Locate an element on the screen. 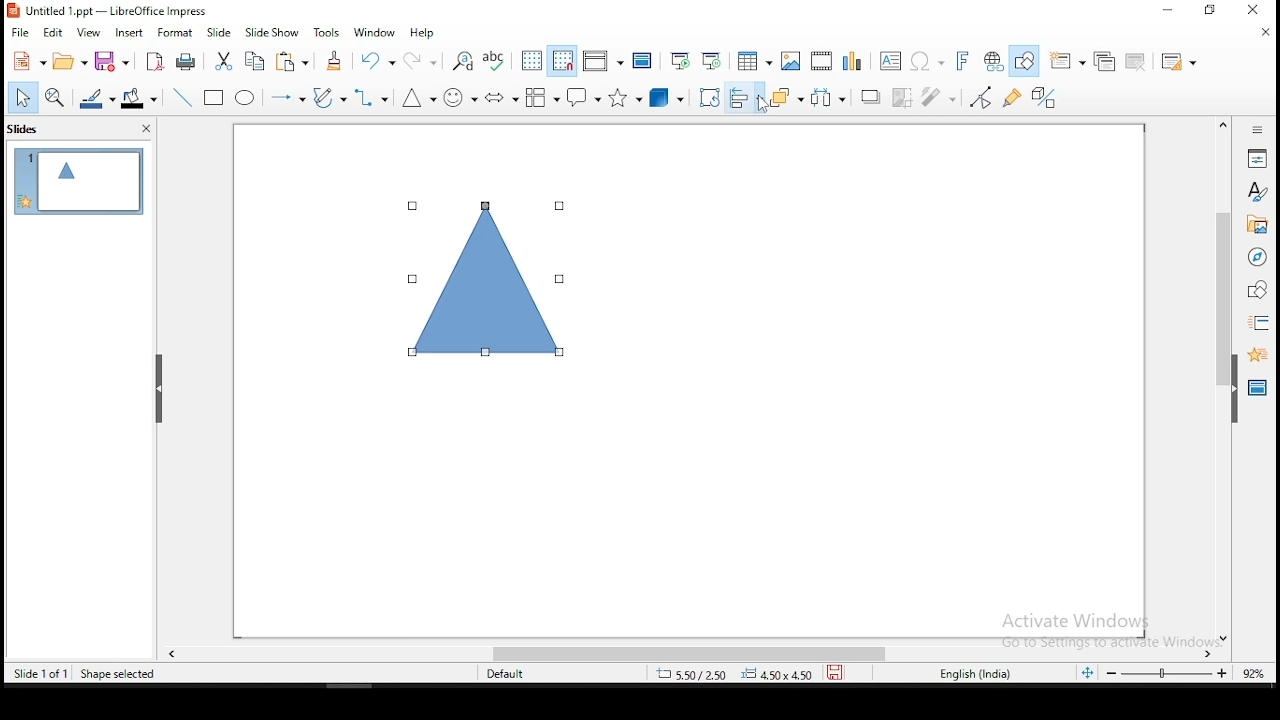  slide is located at coordinates (78, 180).